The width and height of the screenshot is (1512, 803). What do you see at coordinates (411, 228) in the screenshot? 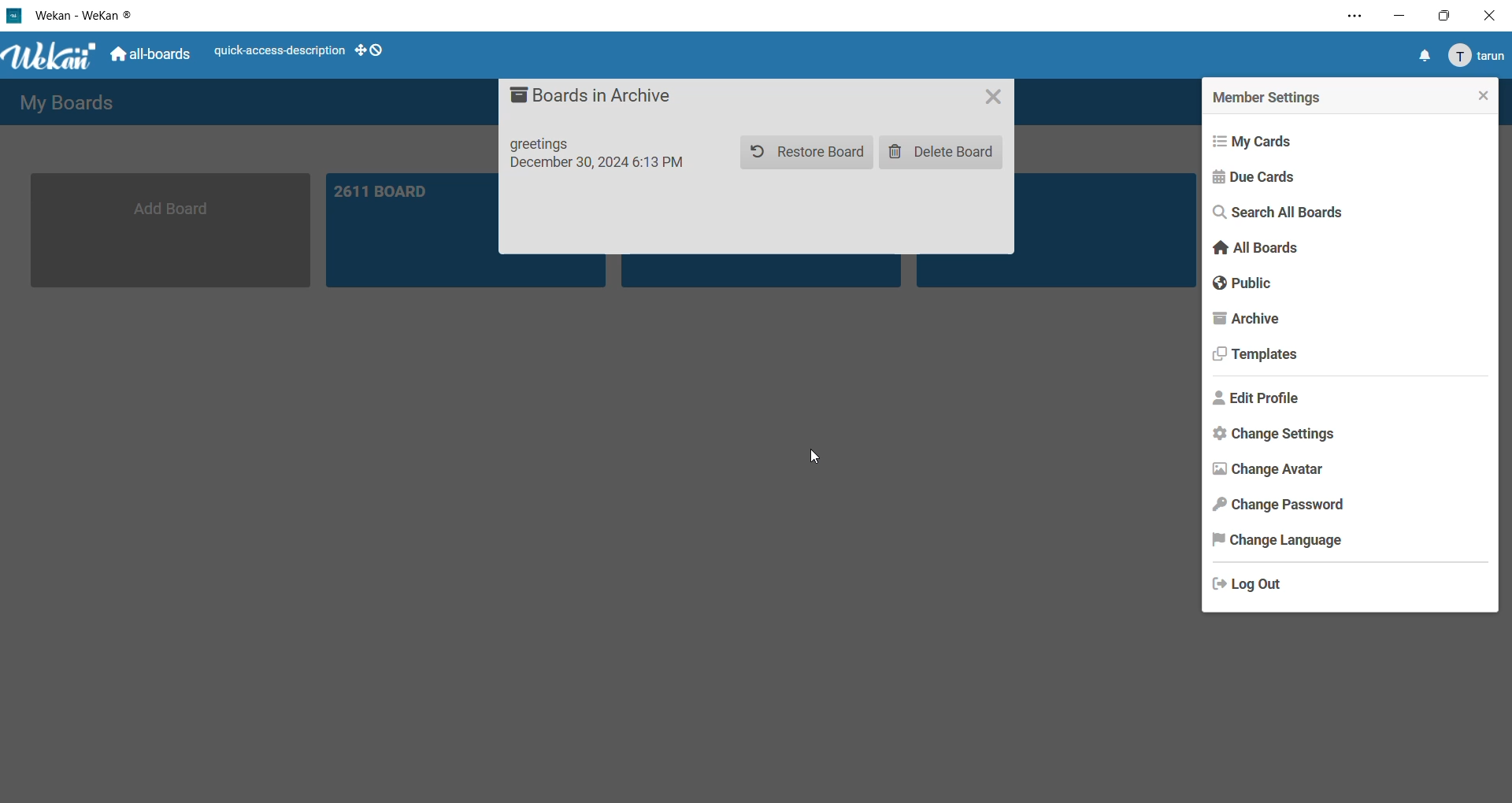
I see `2611 board` at bounding box center [411, 228].